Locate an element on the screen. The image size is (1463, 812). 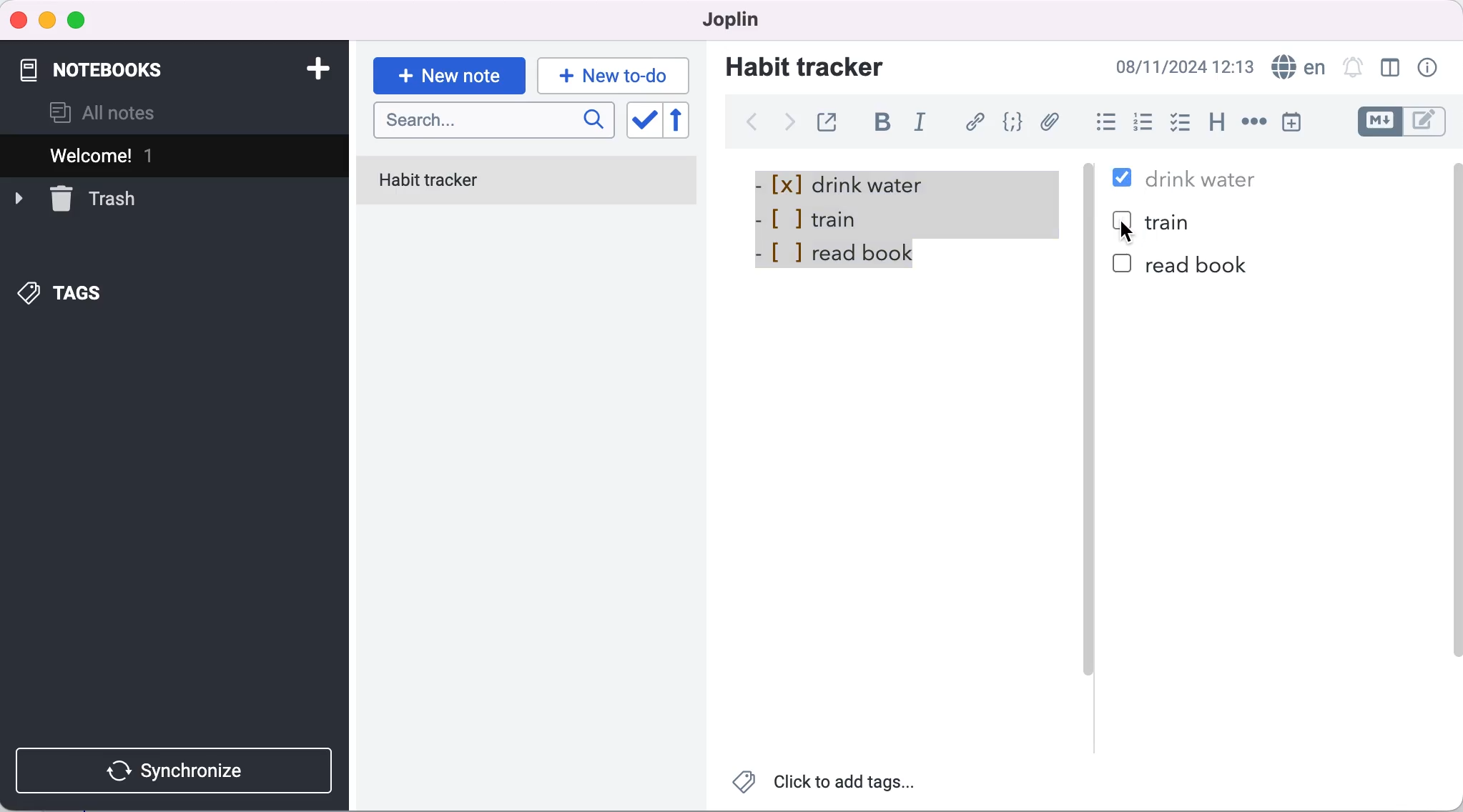
horizontal rule is located at coordinates (1253, 123).